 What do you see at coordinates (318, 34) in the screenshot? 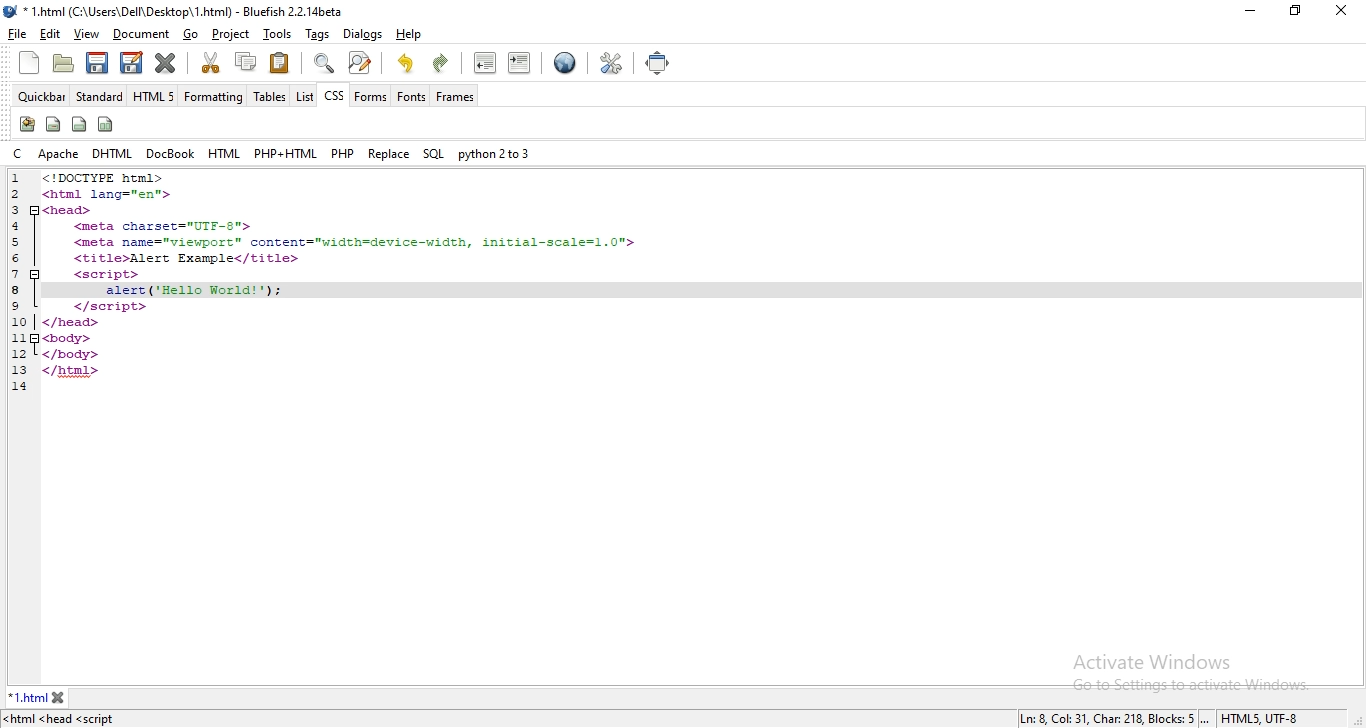
I see `tags` at bounding box center [318, 34].